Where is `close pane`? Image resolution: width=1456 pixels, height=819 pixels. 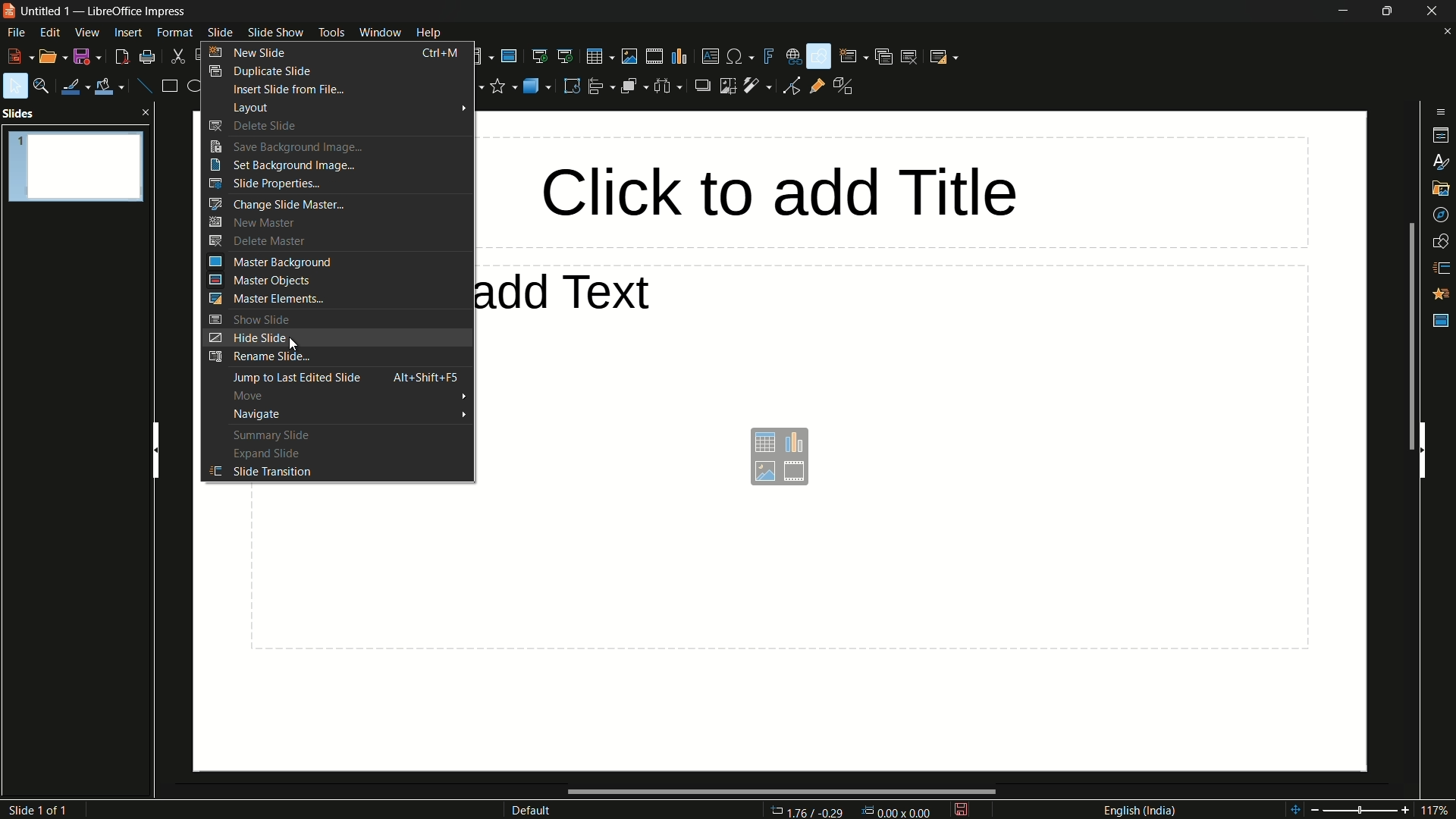 close pane is located at coordinates (145, 113).